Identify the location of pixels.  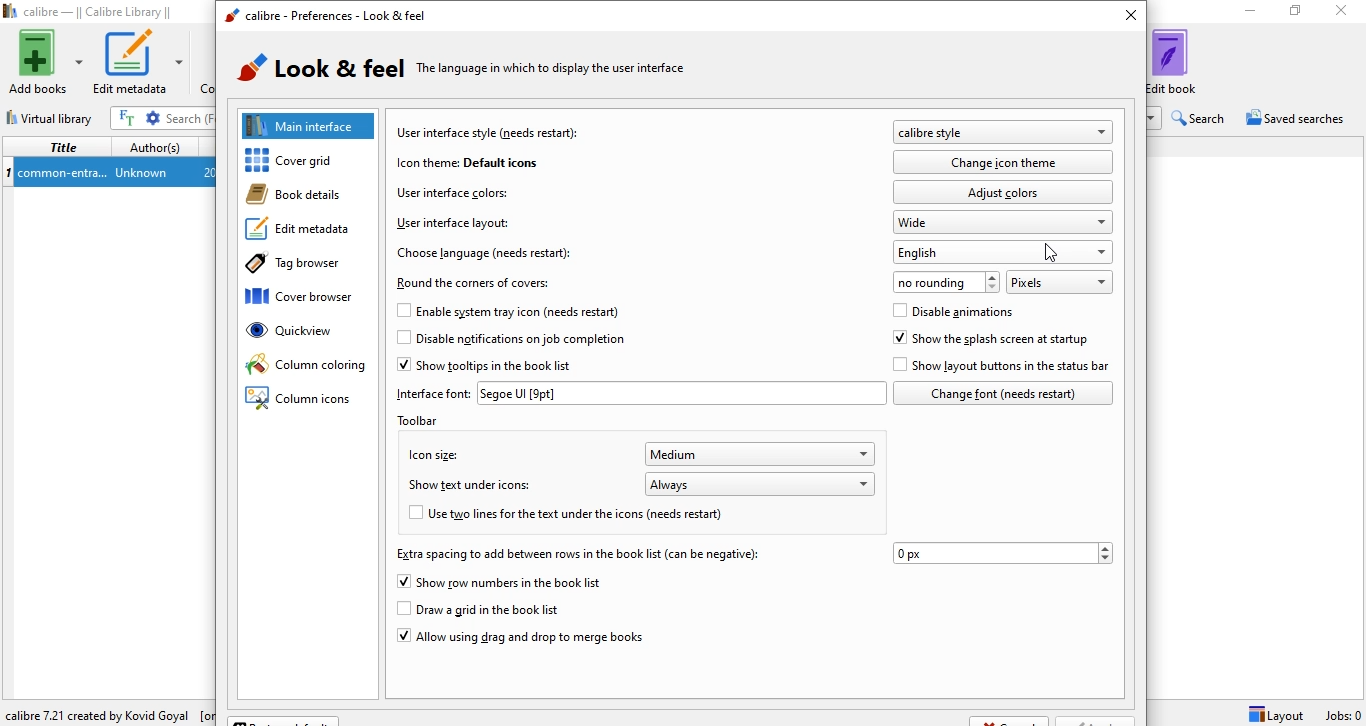
(1058, 281).